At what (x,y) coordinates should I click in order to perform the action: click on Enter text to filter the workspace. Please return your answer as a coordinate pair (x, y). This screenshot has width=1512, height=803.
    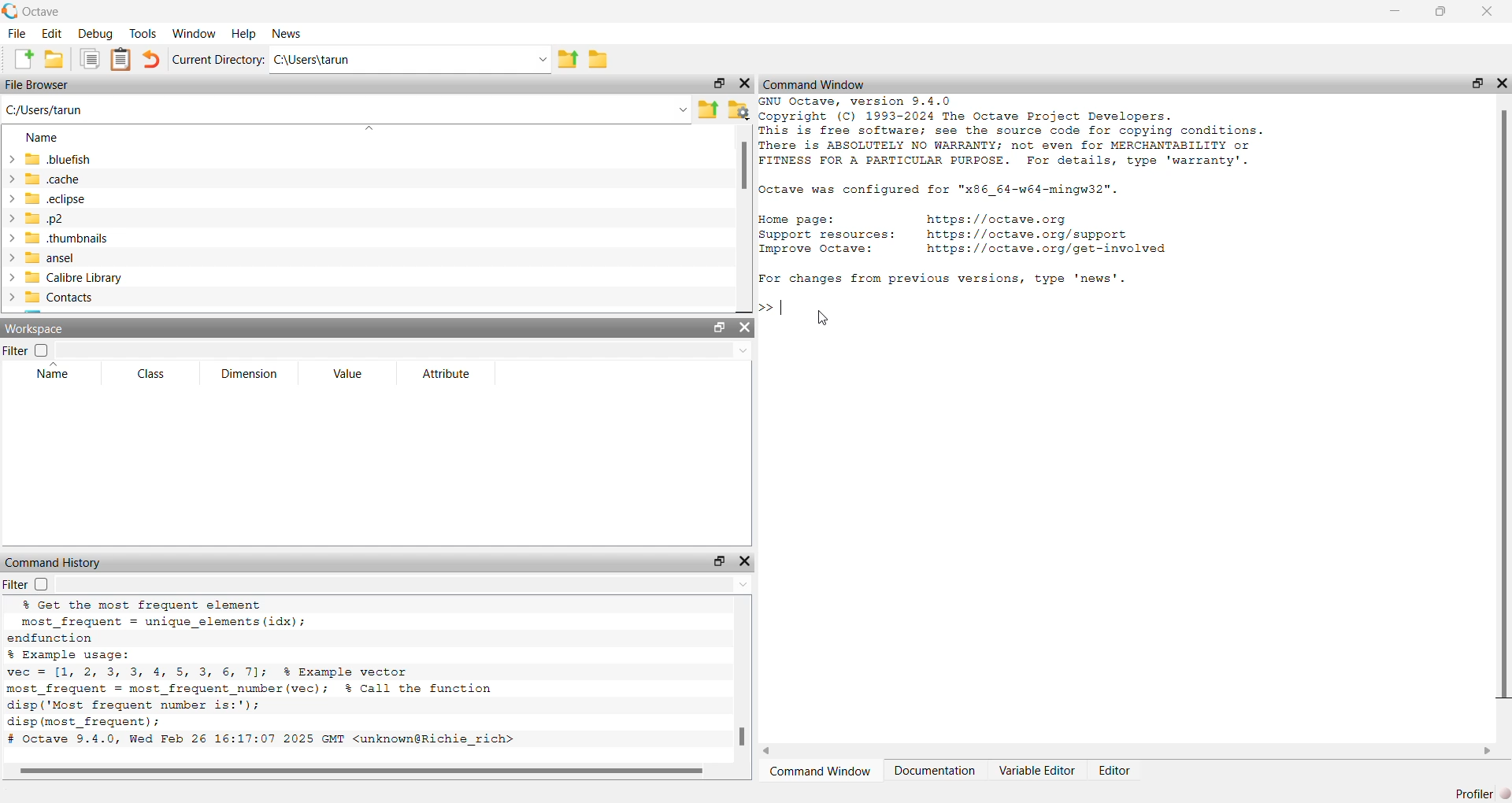
    Looking at the image, I should click on (402, 350).